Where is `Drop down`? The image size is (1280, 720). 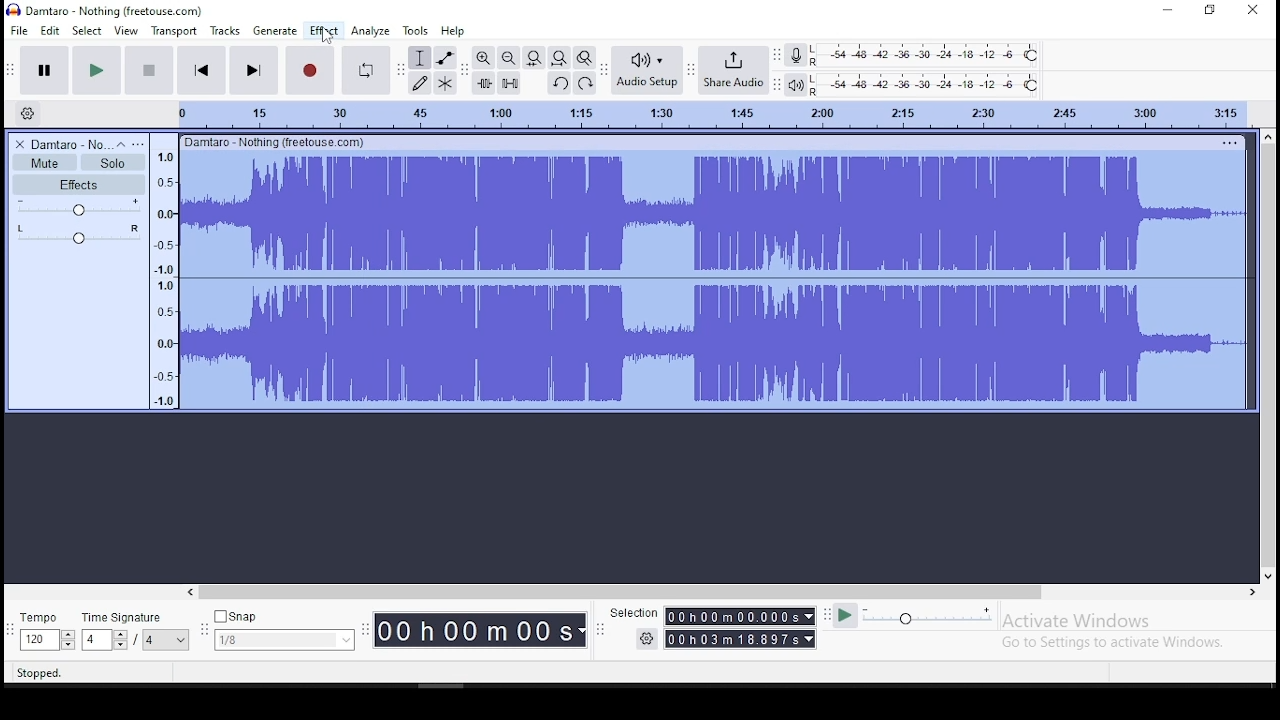
Drop down is located at coordinates (178, 640).